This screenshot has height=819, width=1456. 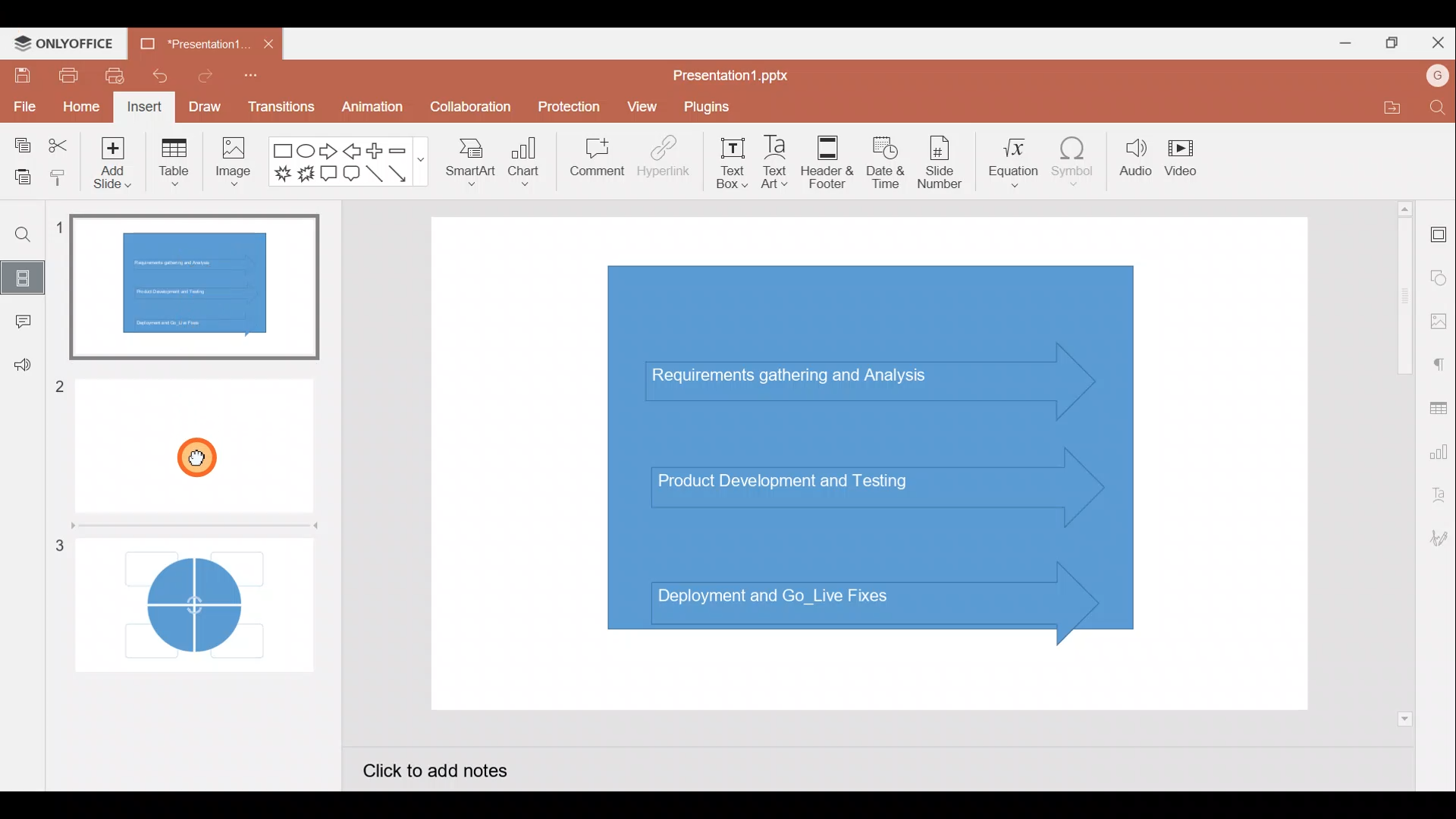 I want to click on Slides, so click(x=27, y=275).